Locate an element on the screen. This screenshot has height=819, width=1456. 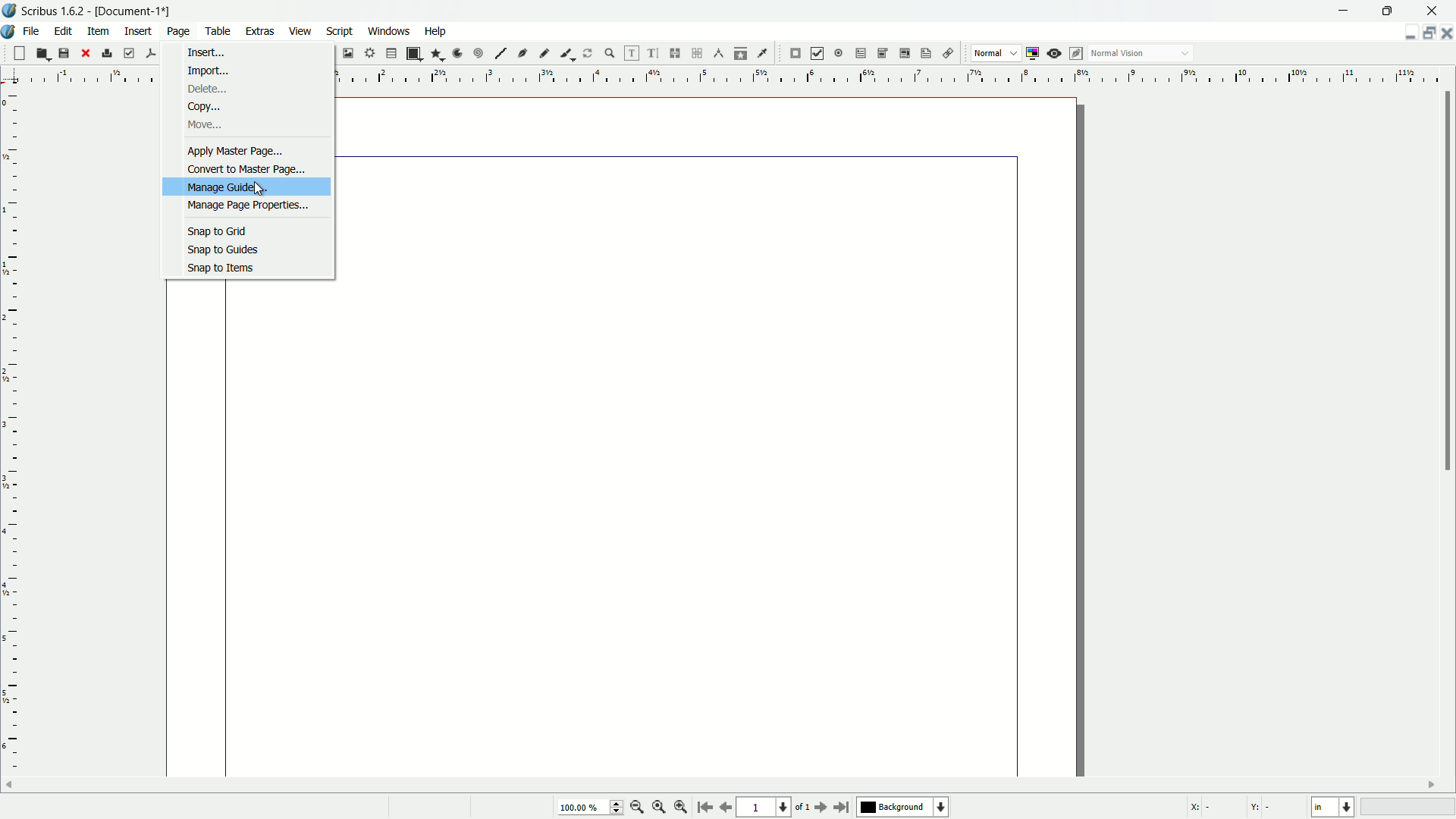
bezier curve is located at coordinates (523, 55).